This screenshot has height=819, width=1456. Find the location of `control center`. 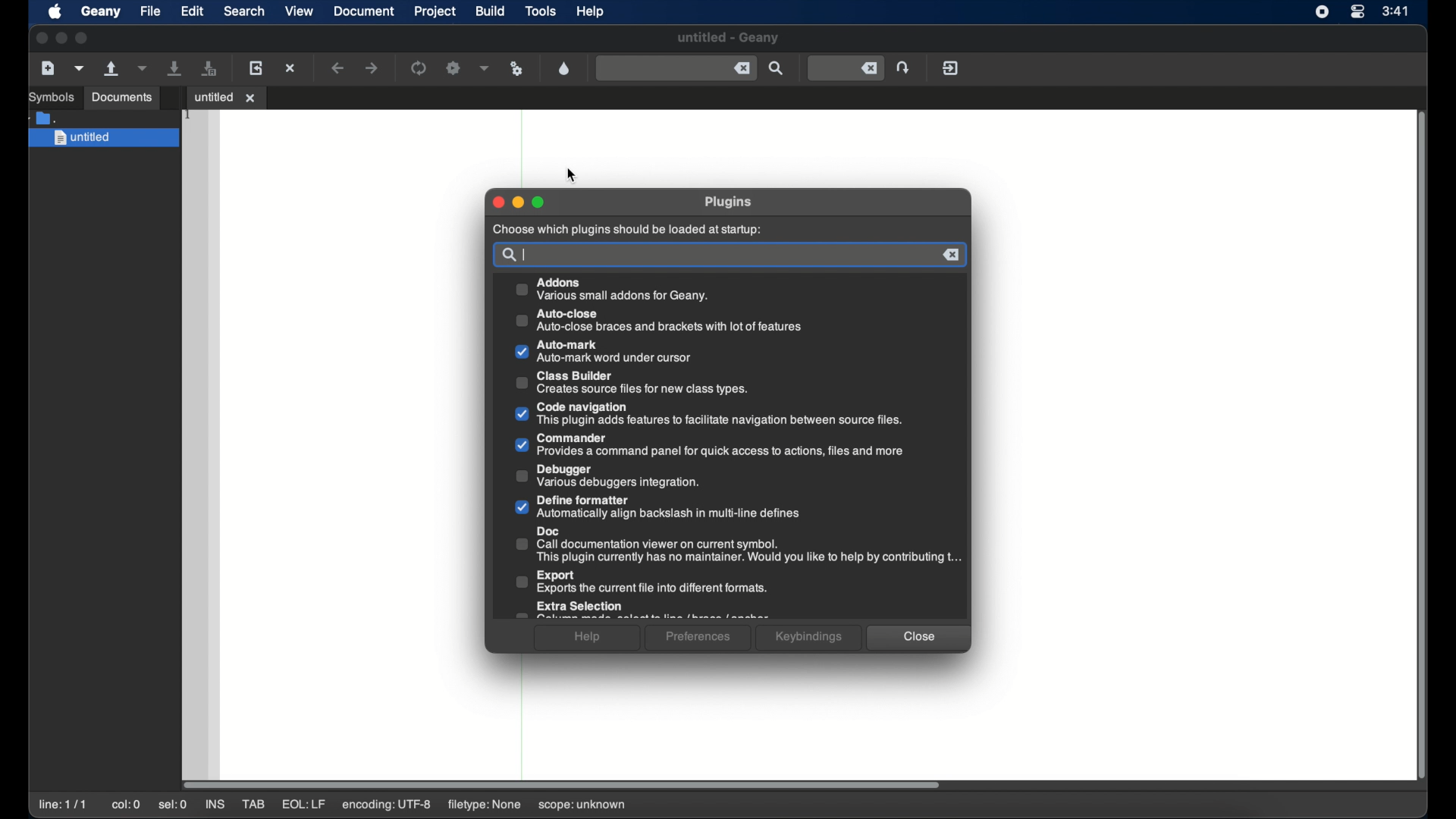

control center is located at coordinates (1359, 12).